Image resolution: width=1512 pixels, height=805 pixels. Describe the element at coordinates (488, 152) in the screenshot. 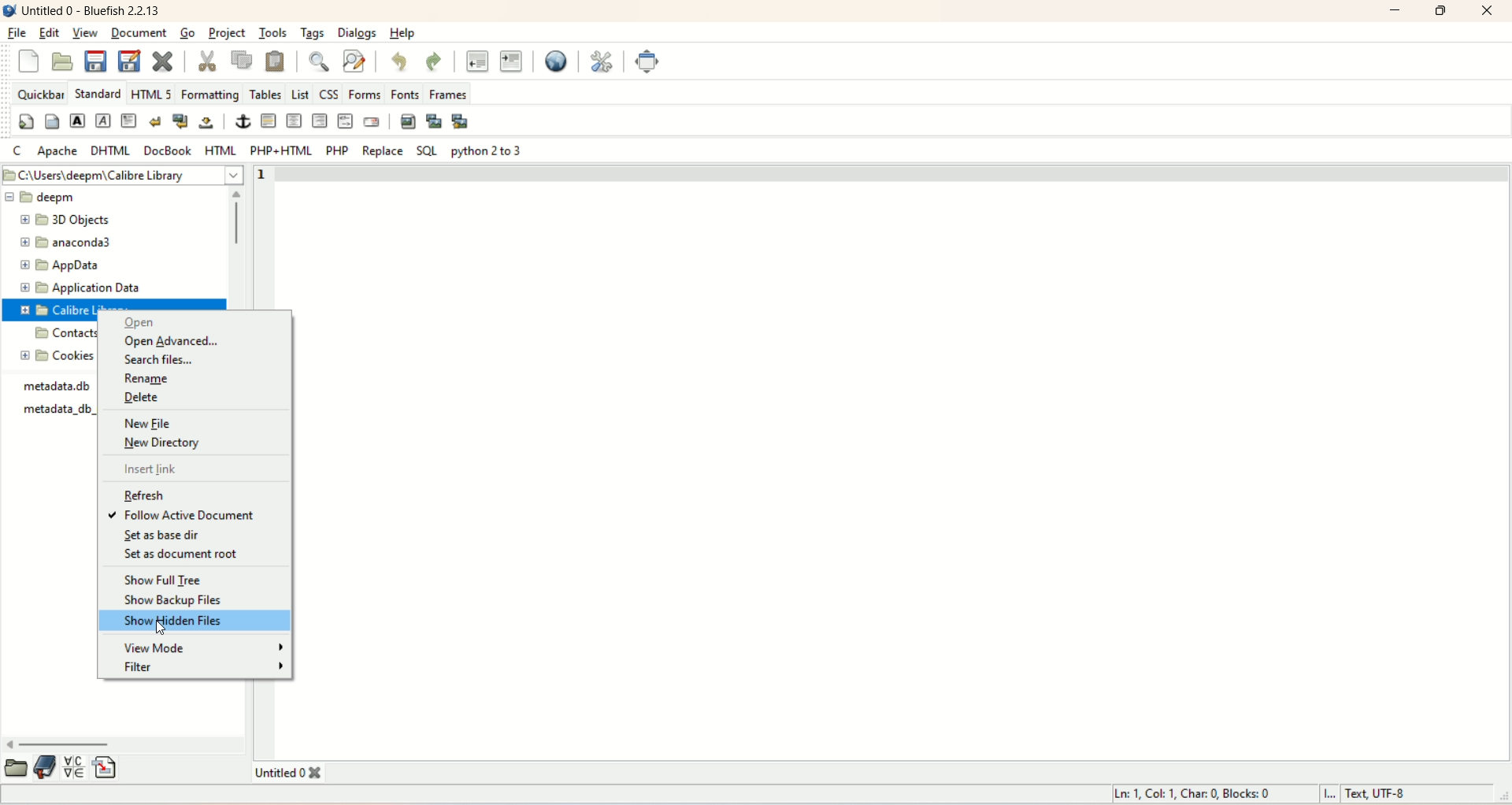

I see `Python 2 to 3` at that location.